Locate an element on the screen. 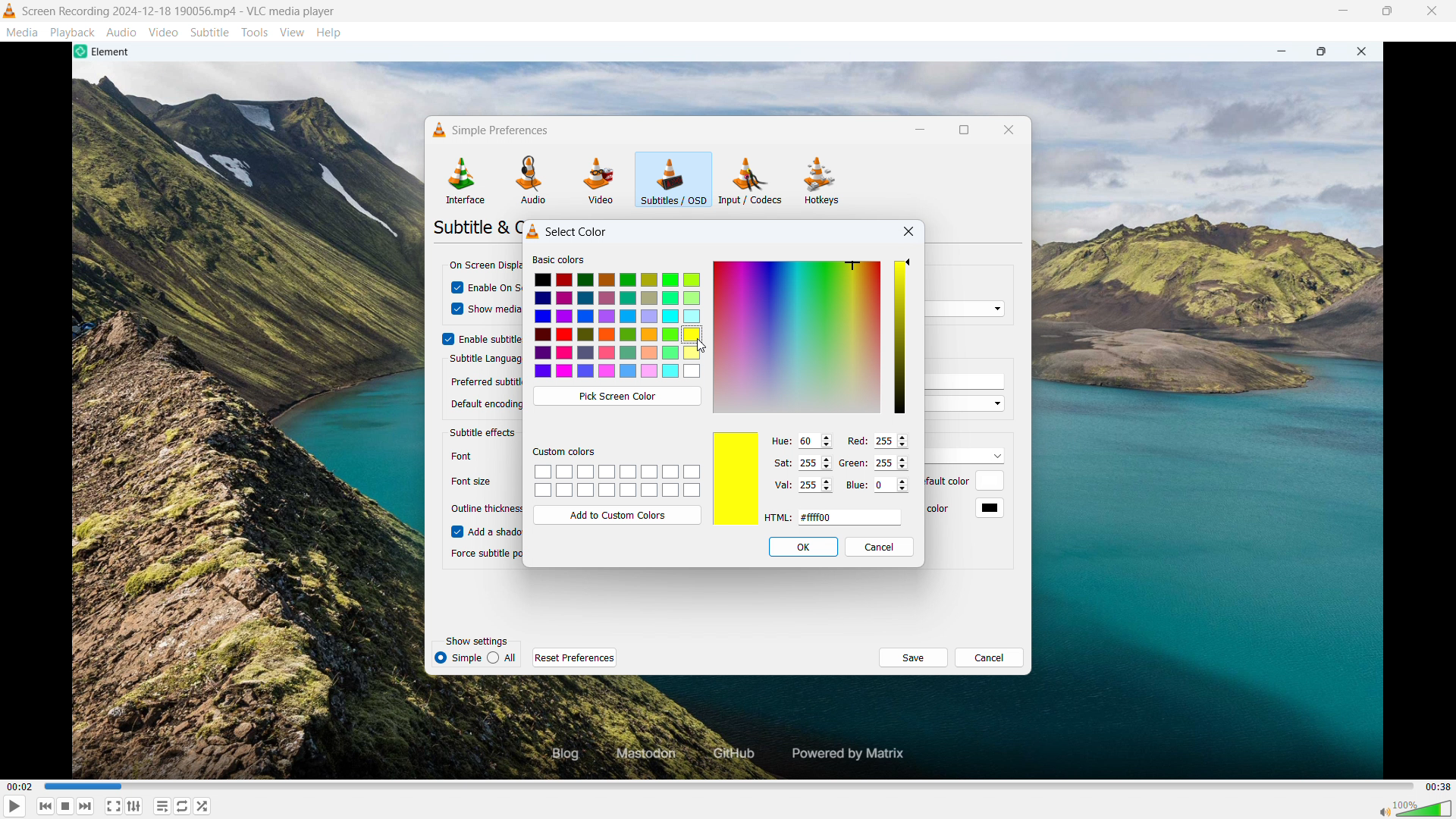 The image size is (1456, 819). Show media title on video start  is located at coordinates (495, 309).